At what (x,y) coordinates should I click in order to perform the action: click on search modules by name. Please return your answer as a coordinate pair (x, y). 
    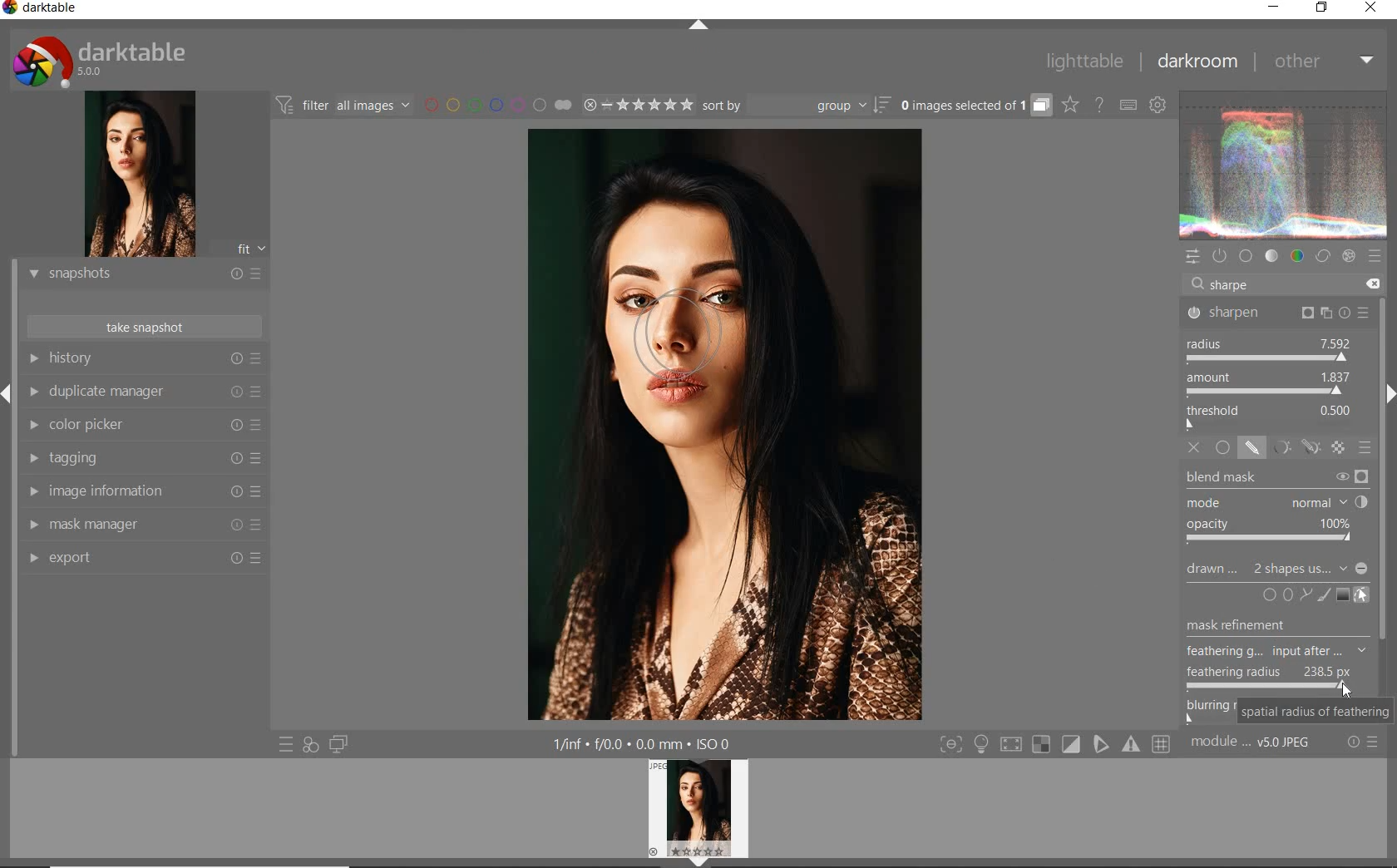
    Looking at the image, I should click on (1284, 284).